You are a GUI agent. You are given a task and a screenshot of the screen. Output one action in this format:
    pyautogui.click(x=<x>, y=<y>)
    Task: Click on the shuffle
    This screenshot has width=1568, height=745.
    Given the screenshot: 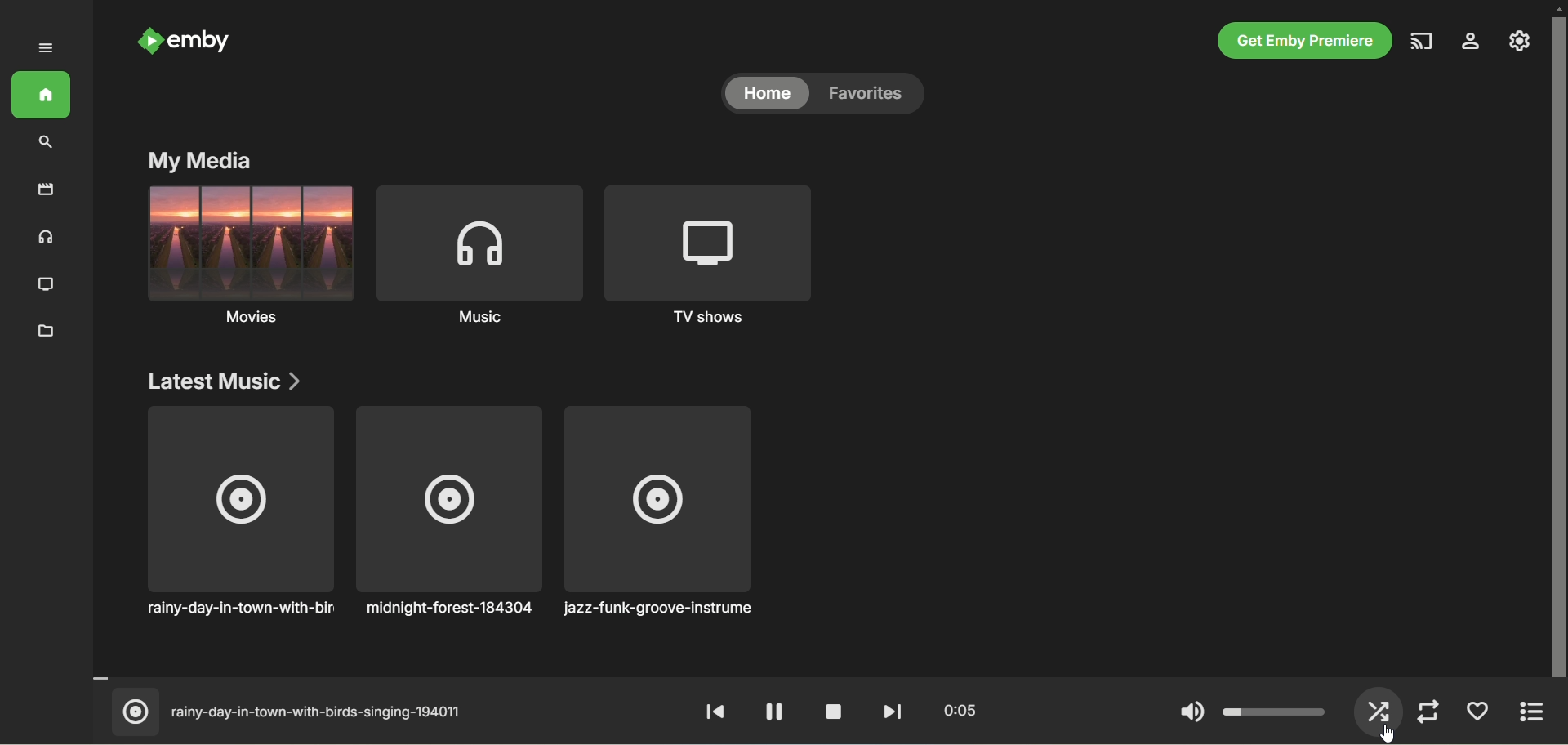 What is the action you would take?
    pyautogui.click(x=1378, y=711)
    